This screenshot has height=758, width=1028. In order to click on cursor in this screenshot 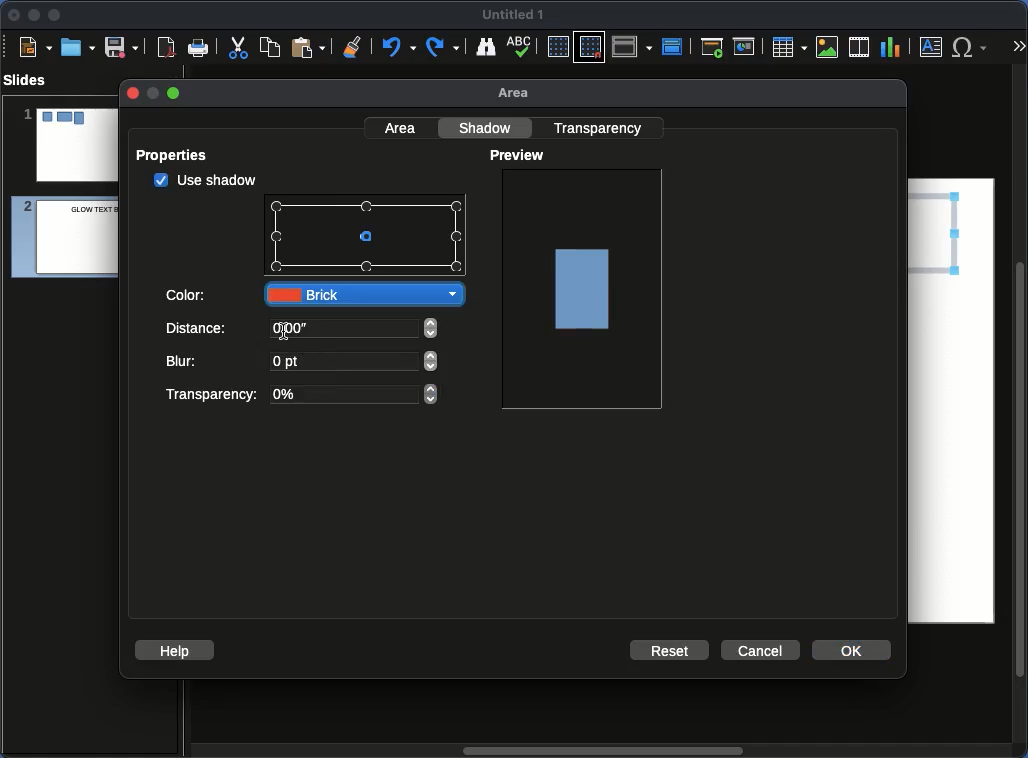, I will do `click(370, 244)`.